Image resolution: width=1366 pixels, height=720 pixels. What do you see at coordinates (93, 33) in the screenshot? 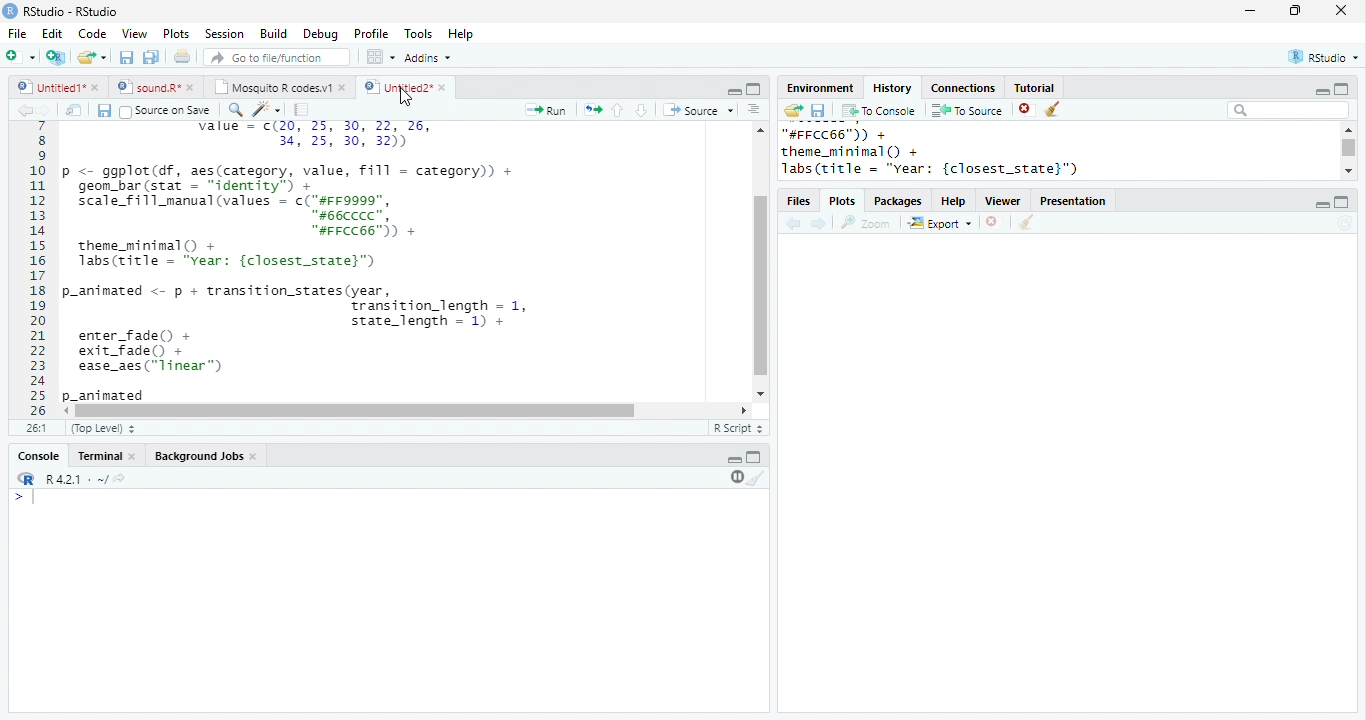
I see `Code` at bounding box center [93, 33].